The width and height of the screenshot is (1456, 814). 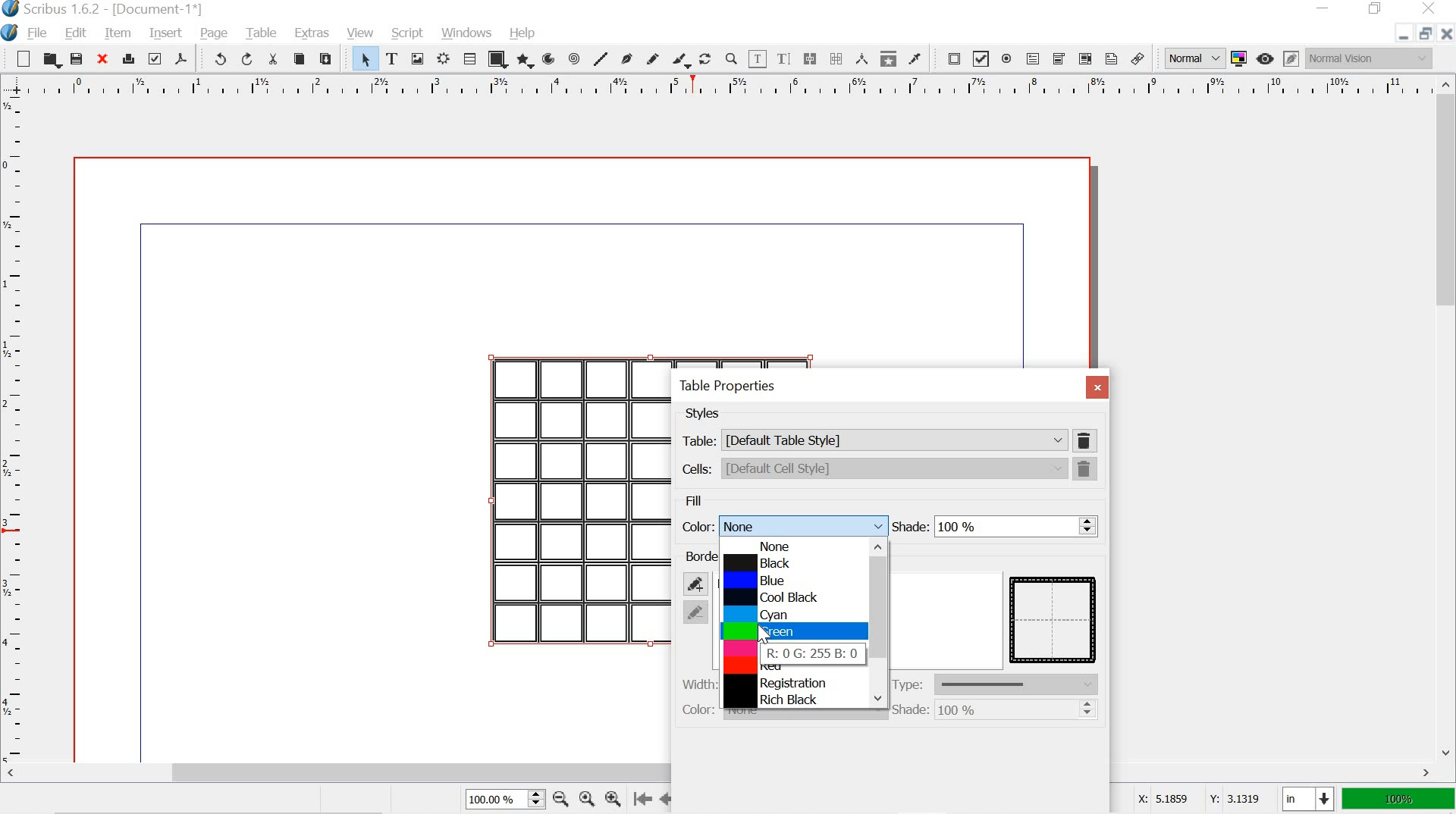 I want to click on edit in preview mode, so click(x=1291, y=57).